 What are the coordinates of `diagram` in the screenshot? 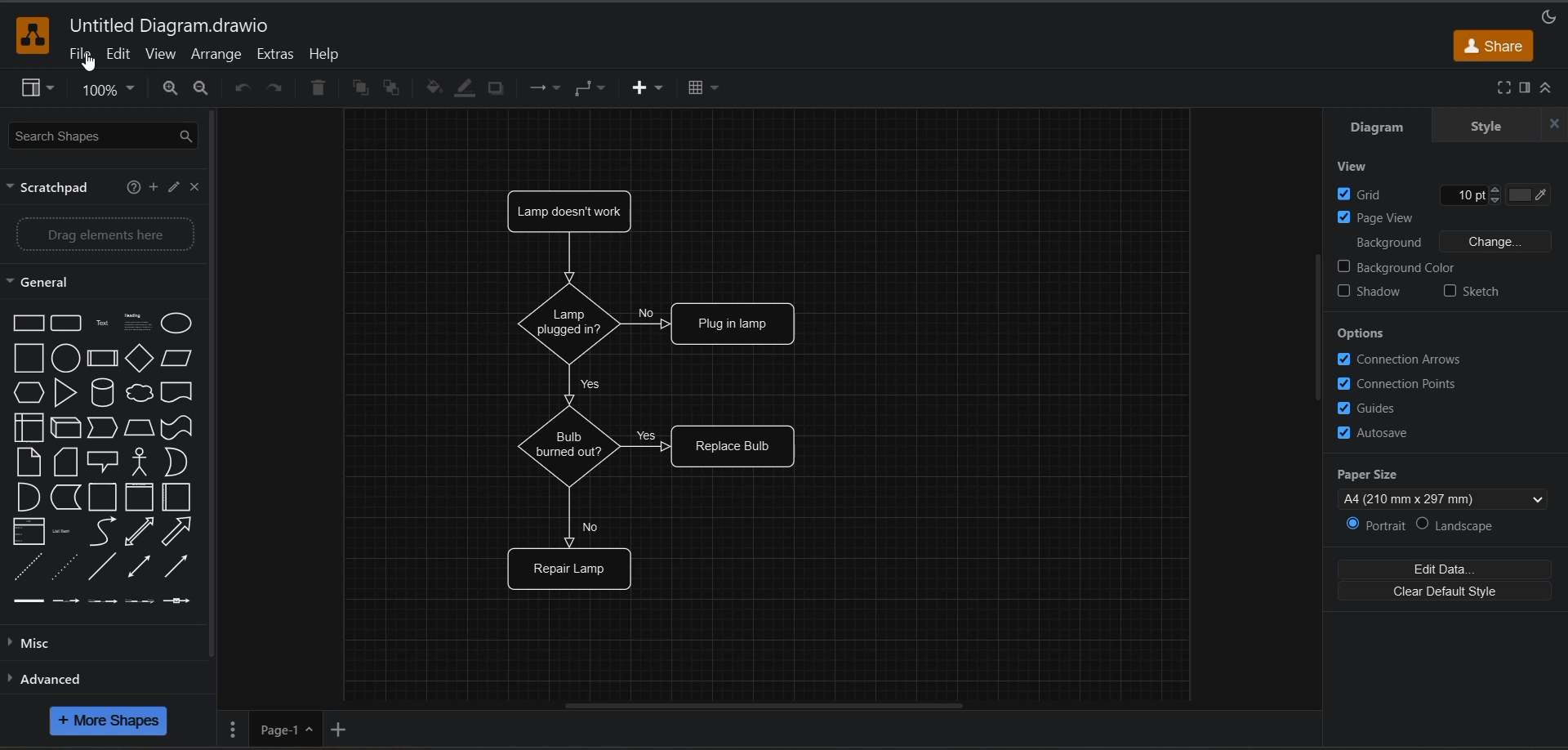 It's located at (1381, 125).